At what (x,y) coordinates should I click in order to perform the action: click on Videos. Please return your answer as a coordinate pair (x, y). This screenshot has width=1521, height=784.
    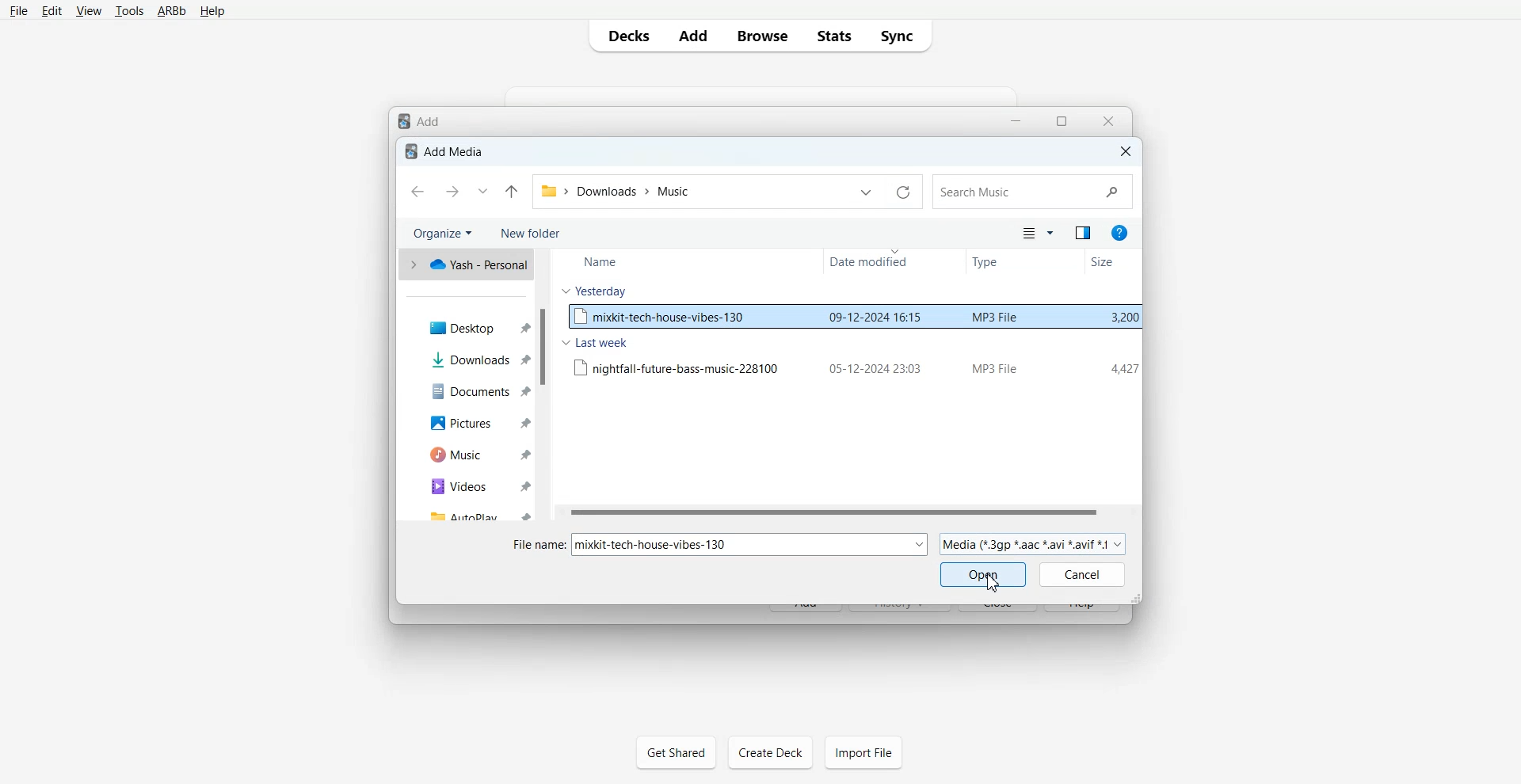
    Looking at the image, I should click on (476, 486).